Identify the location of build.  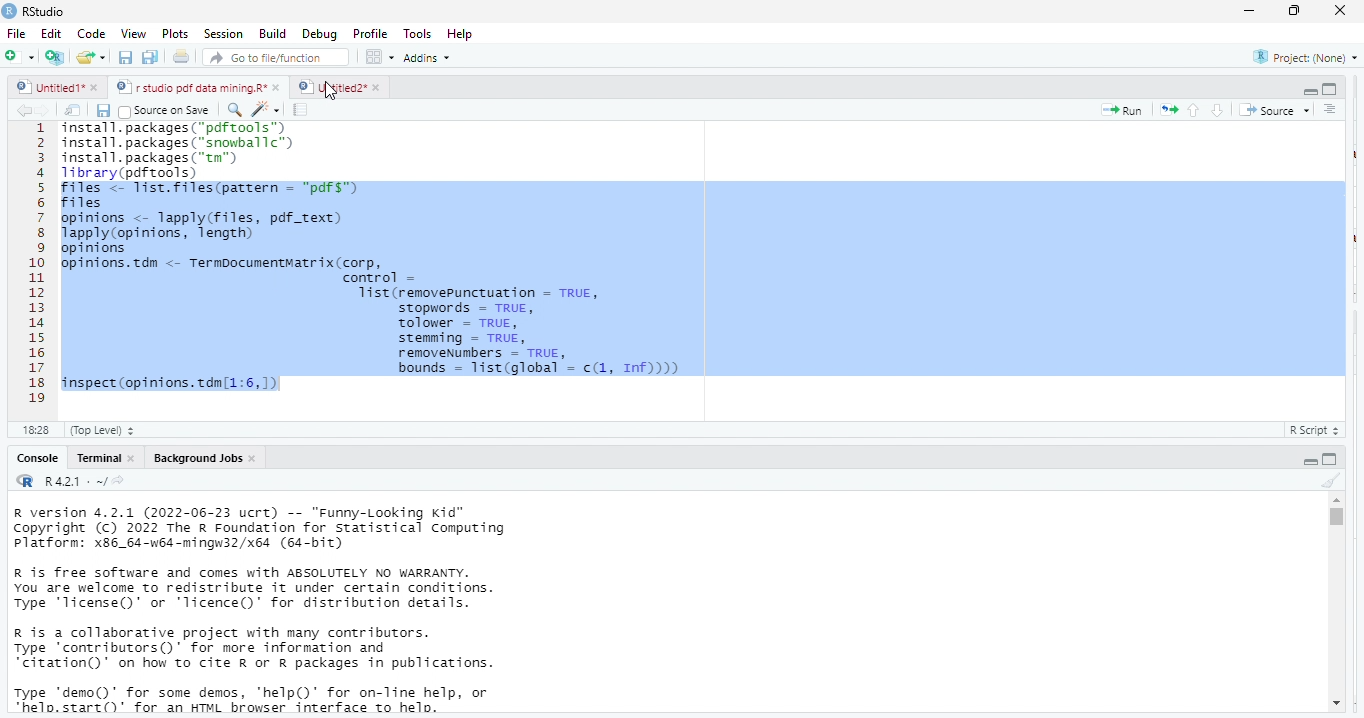
(273, 33).